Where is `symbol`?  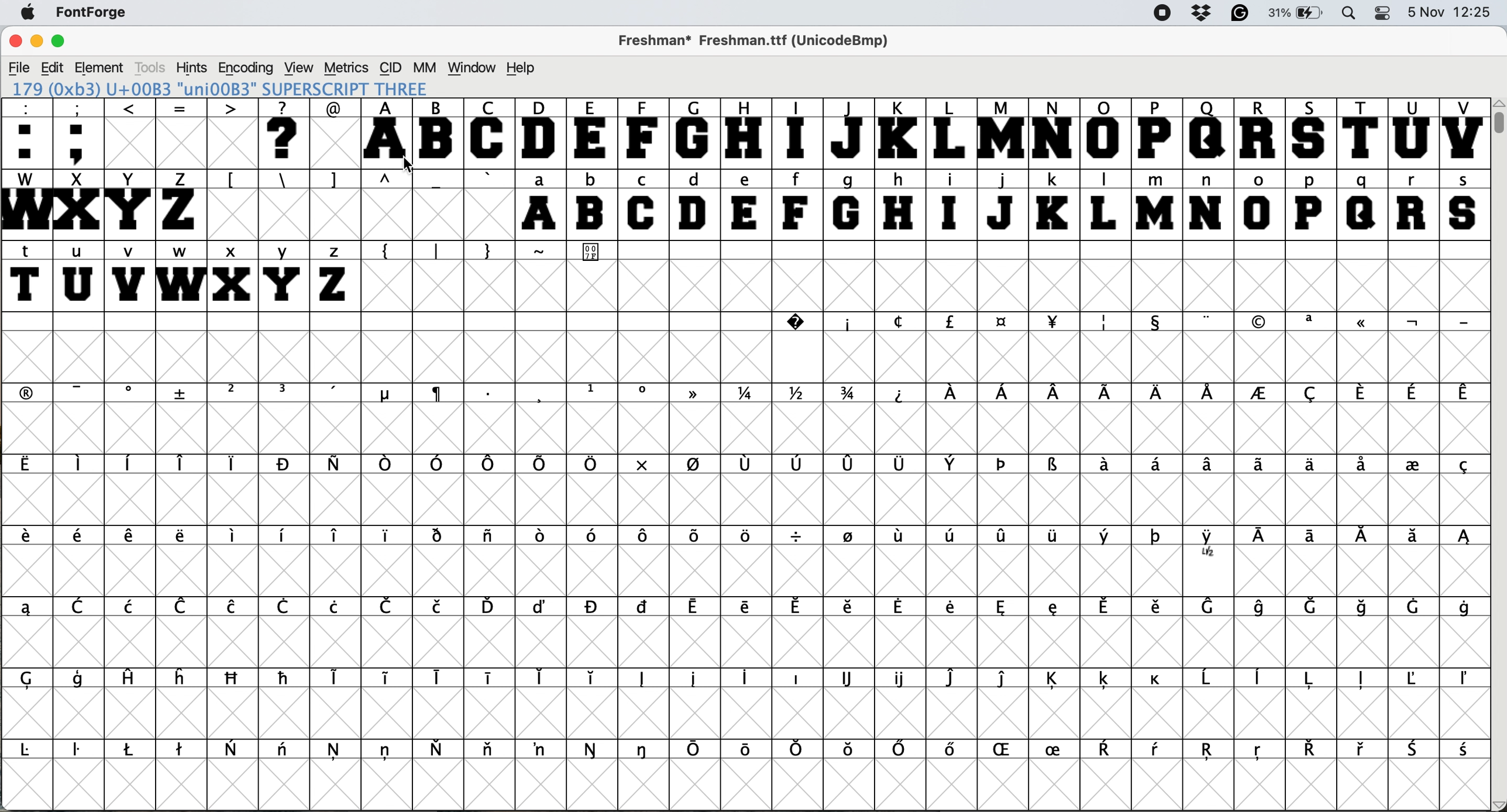
symbol is located at coordinates (906, 539).